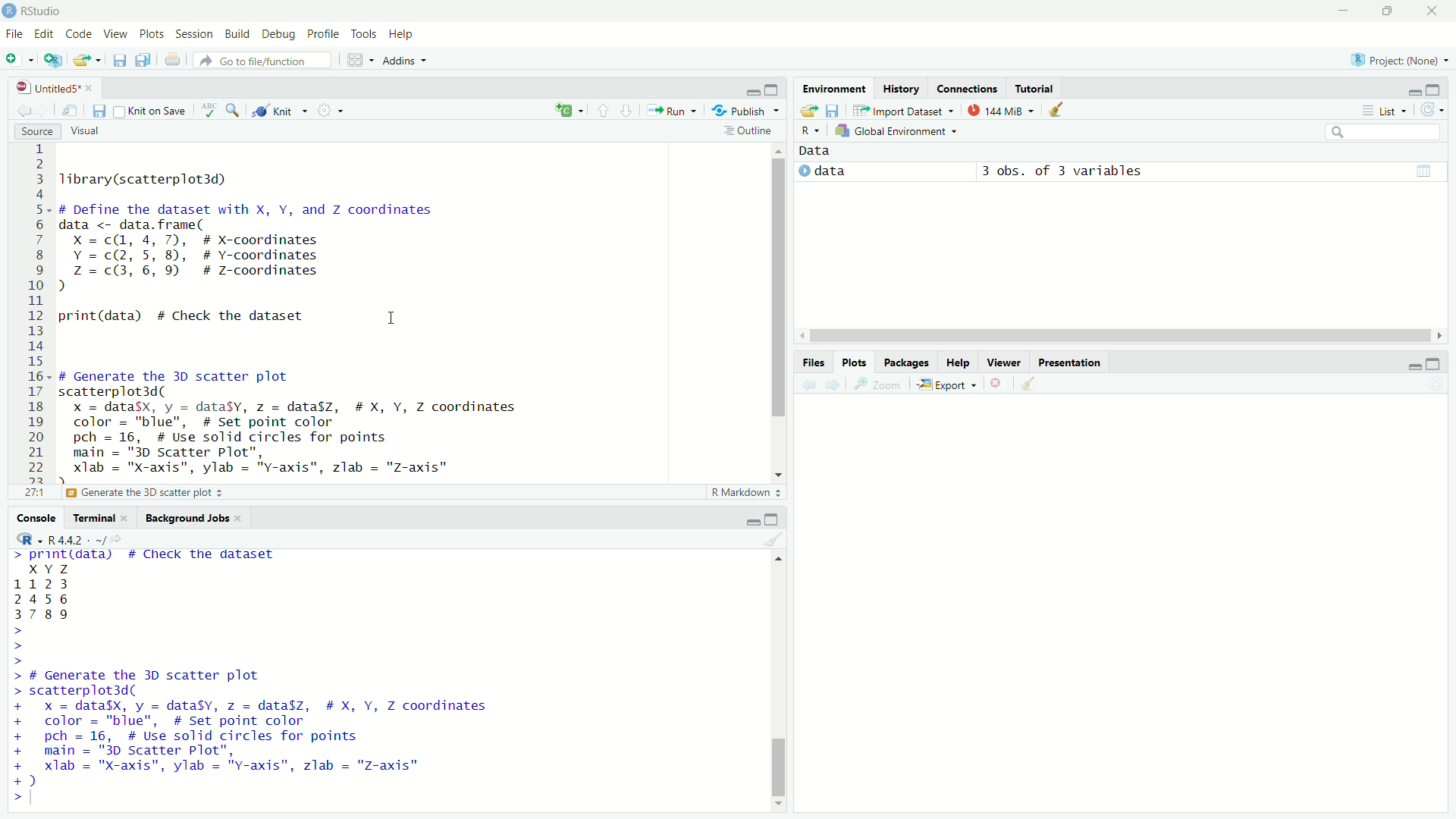  I want to click on Terminal, so click(93, 516).